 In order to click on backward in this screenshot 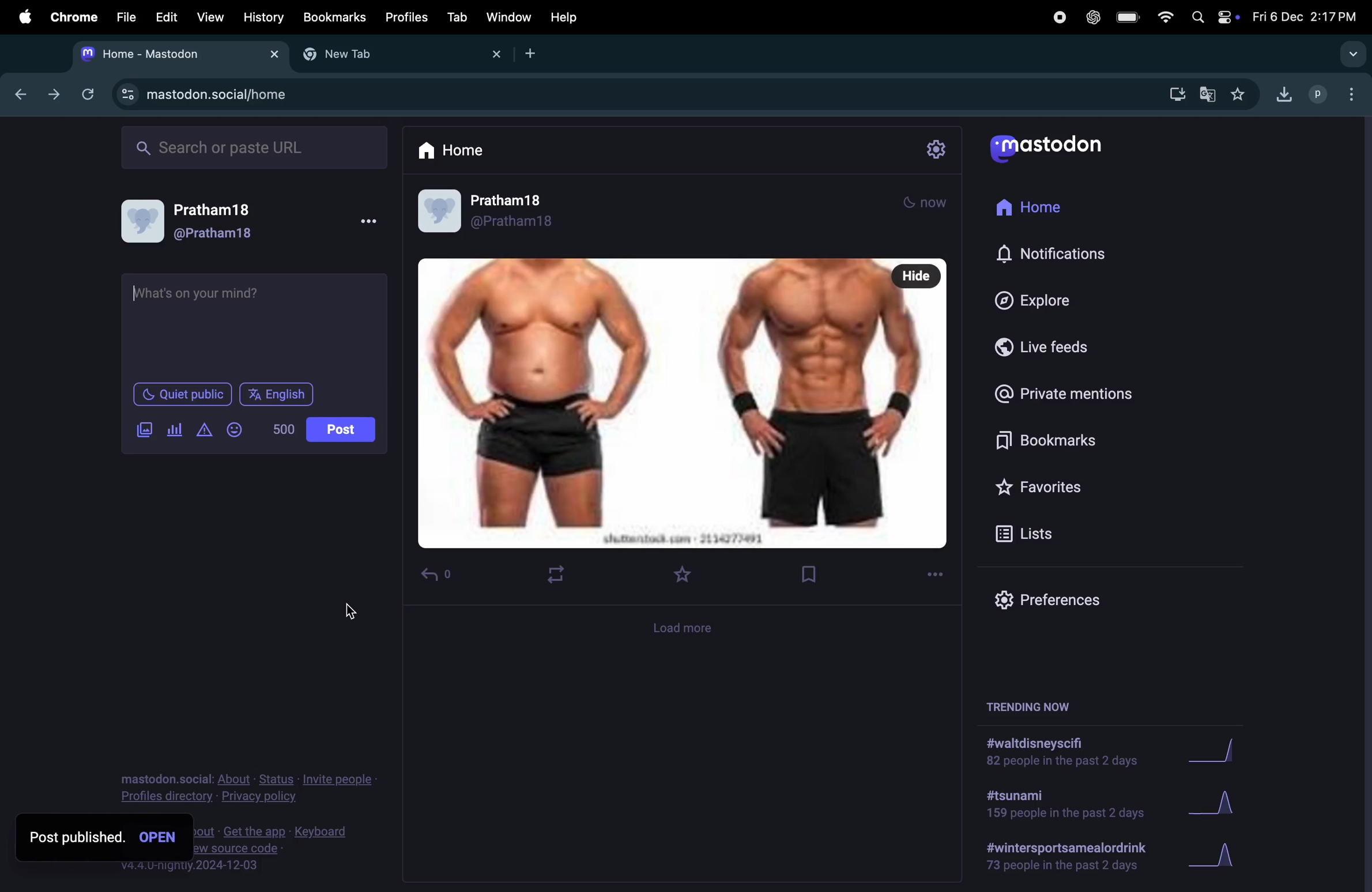, I will do `click(26, 96)`.